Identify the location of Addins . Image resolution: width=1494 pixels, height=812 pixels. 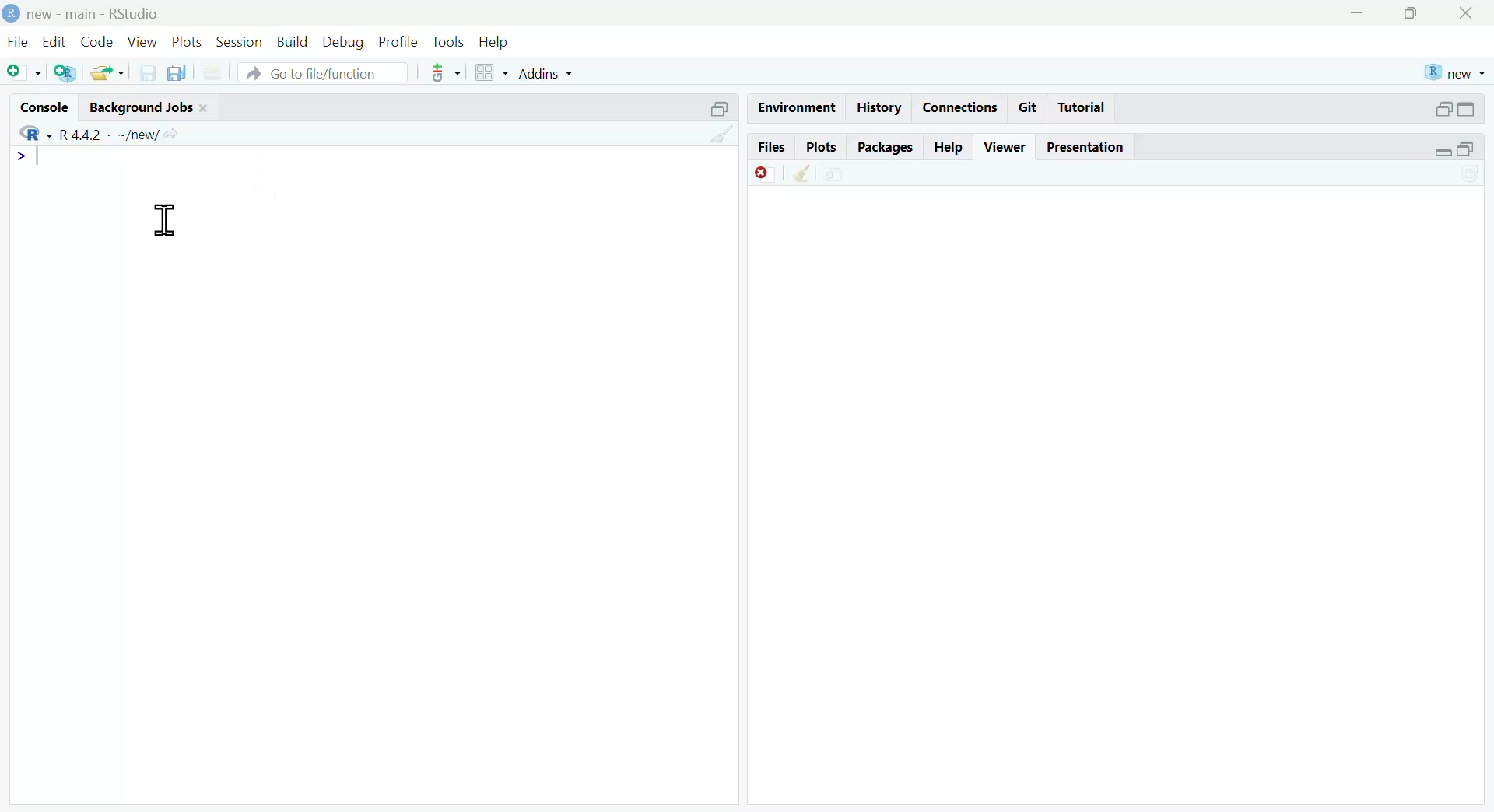
(569, 73).